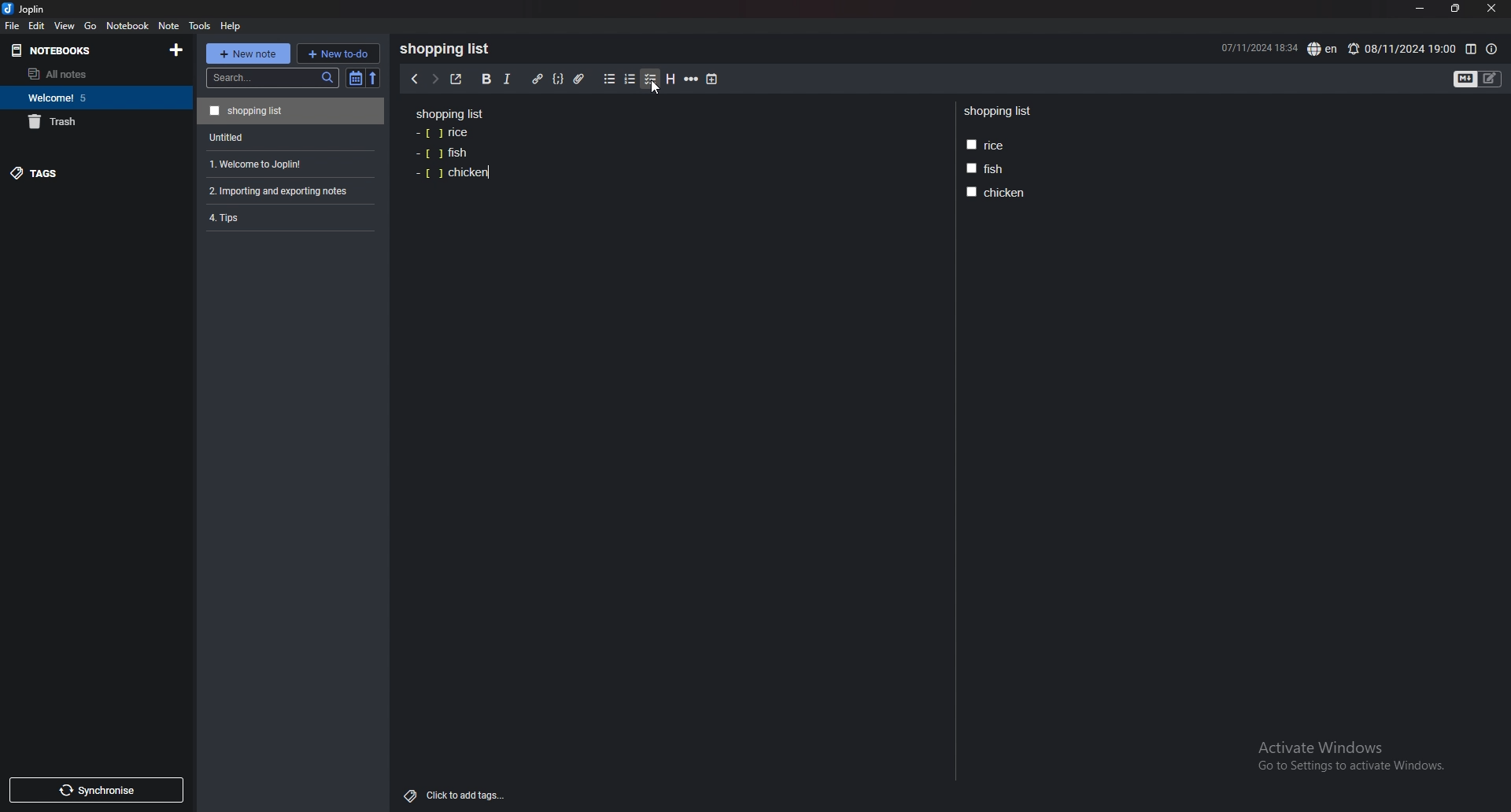 This screenshot has height=812, width=1511. What do you see at coordinates (653, 88) in the screenshot?
I see `Cursor` at bounding box center [653, 88].